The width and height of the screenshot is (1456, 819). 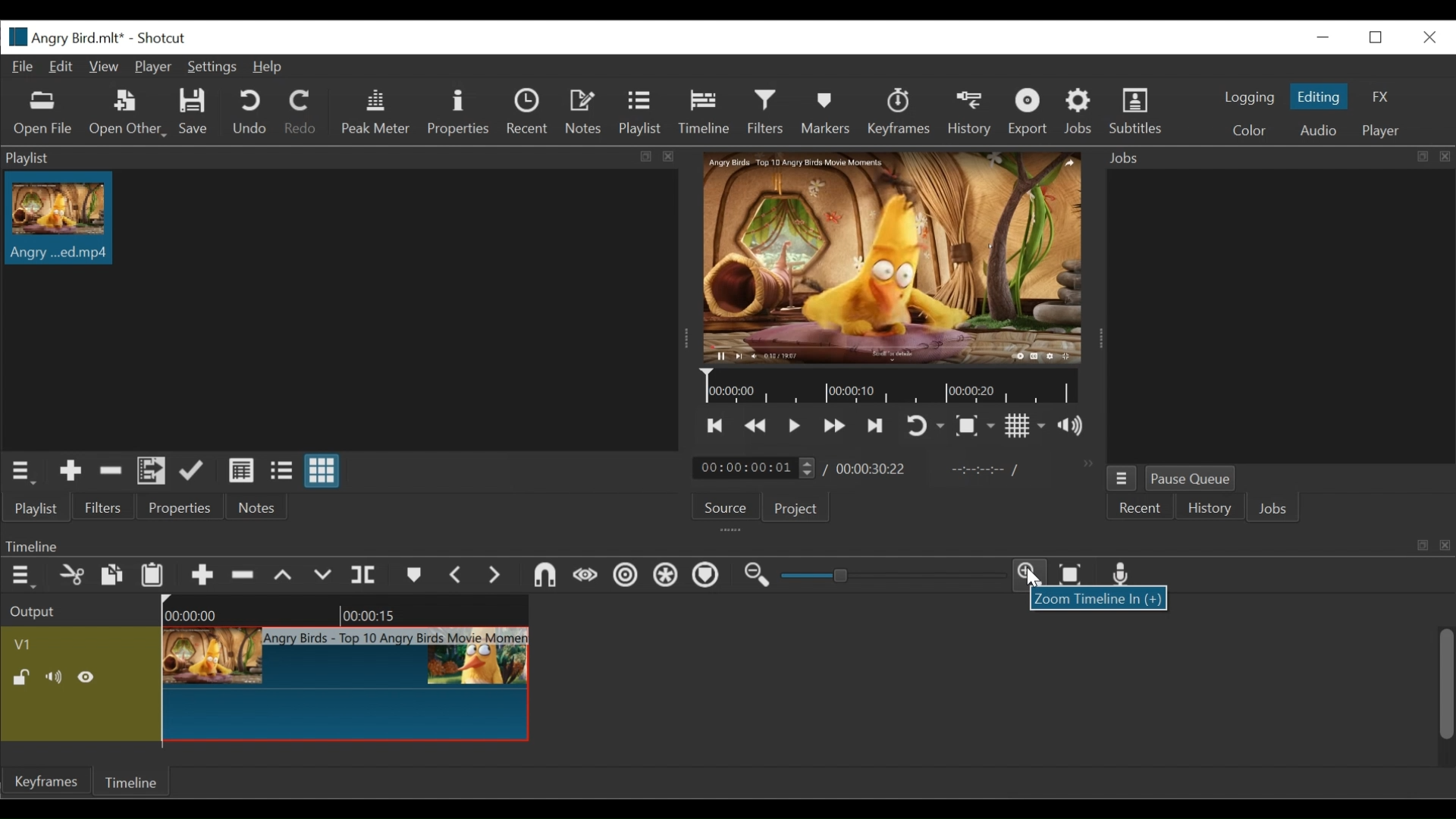 I want to click on Ripple all tracks, so click(x=664, y=575).